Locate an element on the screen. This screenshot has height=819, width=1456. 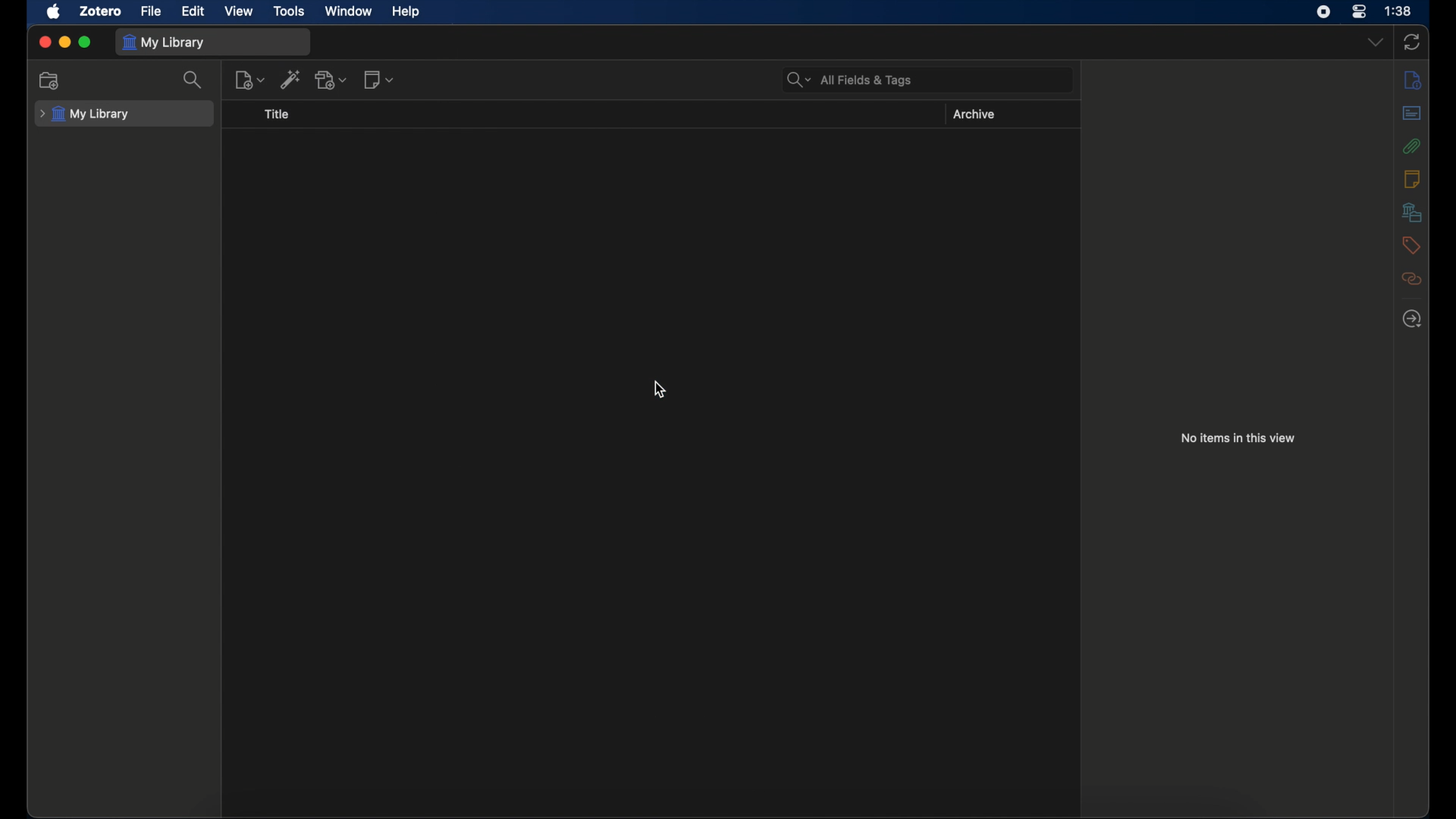
tags is located at coordinates (1412, 245).